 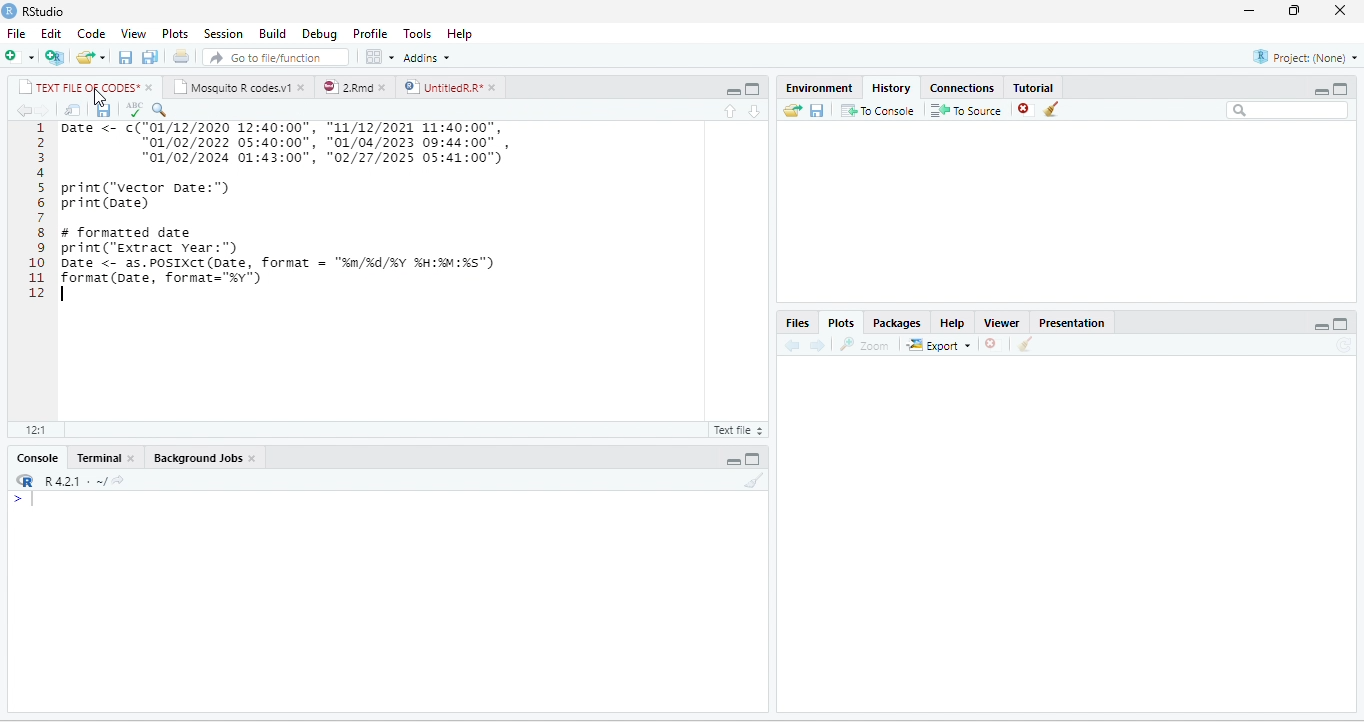 I want to click on open in new window, so click(x=74, y=110).